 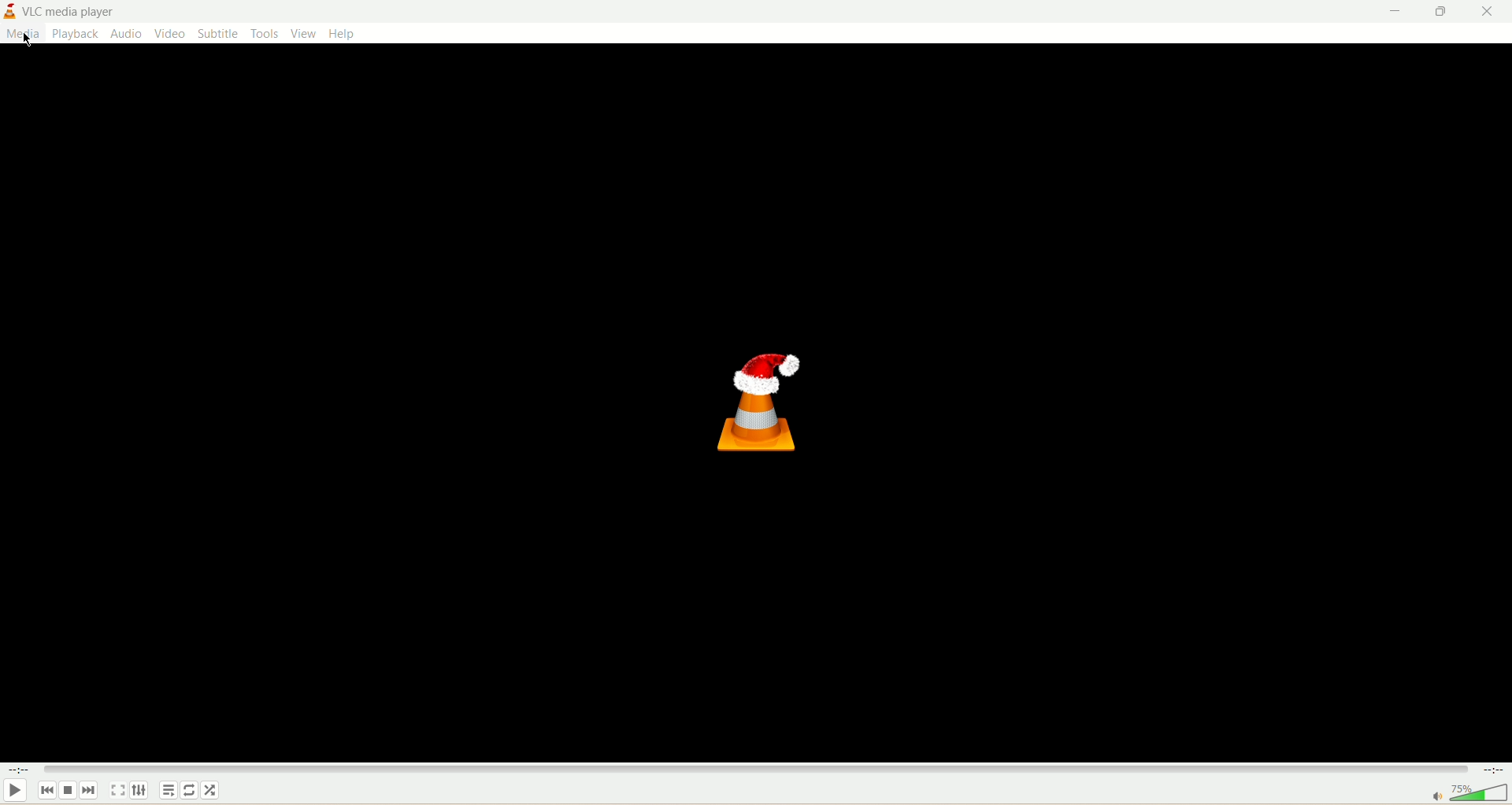 I want to click on view, so click(x=302, y=34).